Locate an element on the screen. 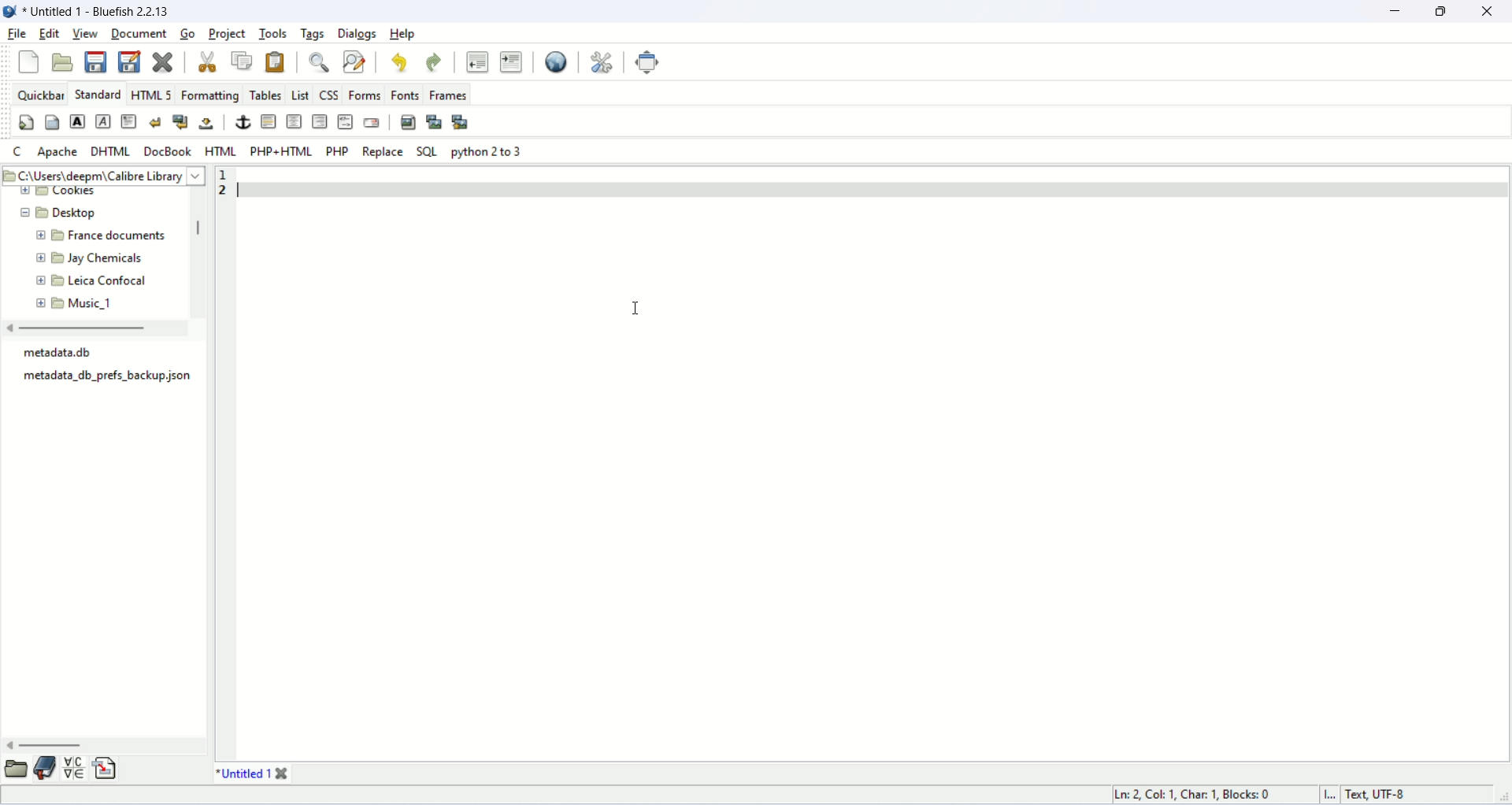 The width and height of the screenshot is (1512, 805). tables is located at coordinates (264, 95).